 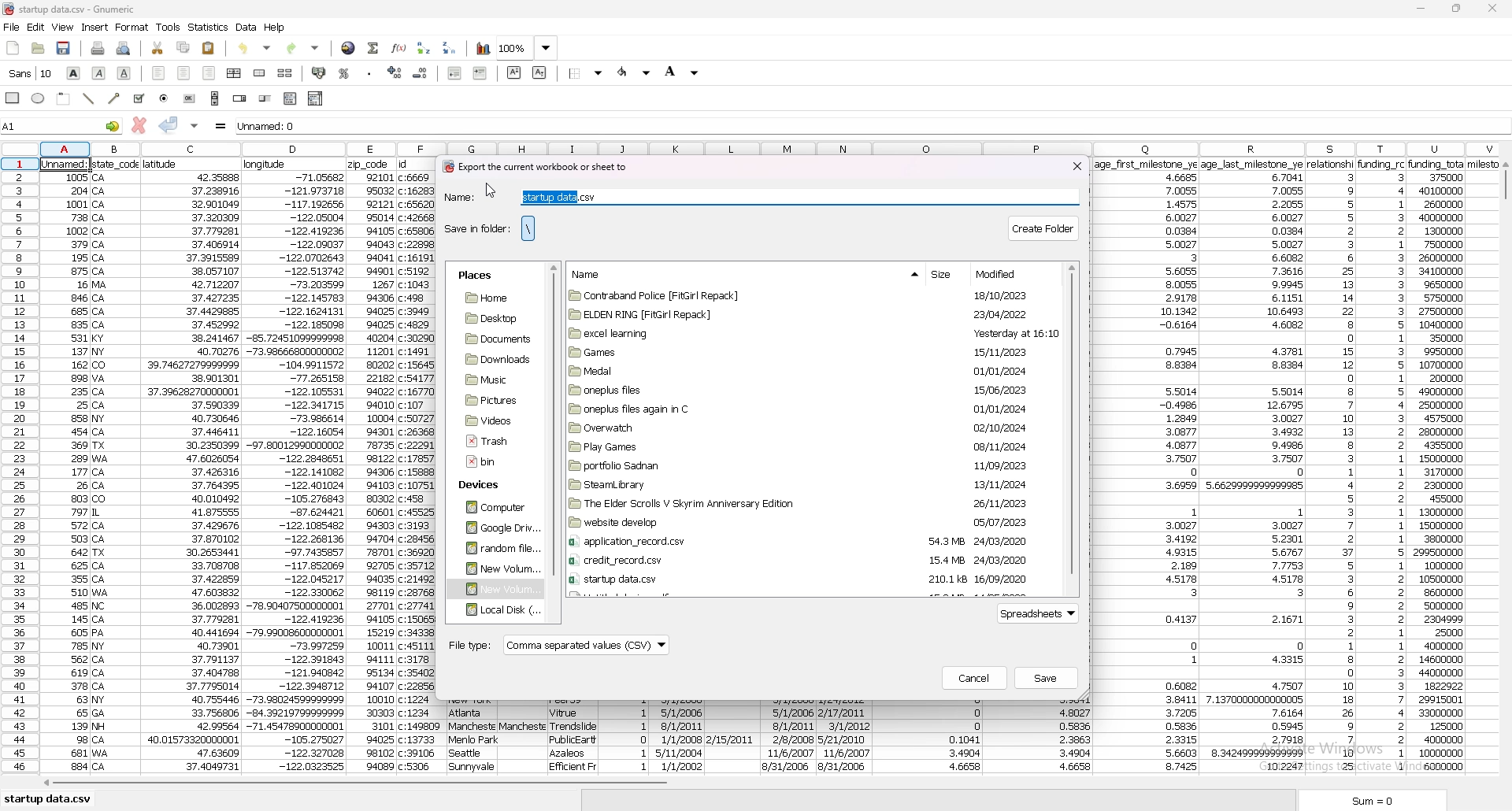 I want to click on save, so click(x=65, y=48).